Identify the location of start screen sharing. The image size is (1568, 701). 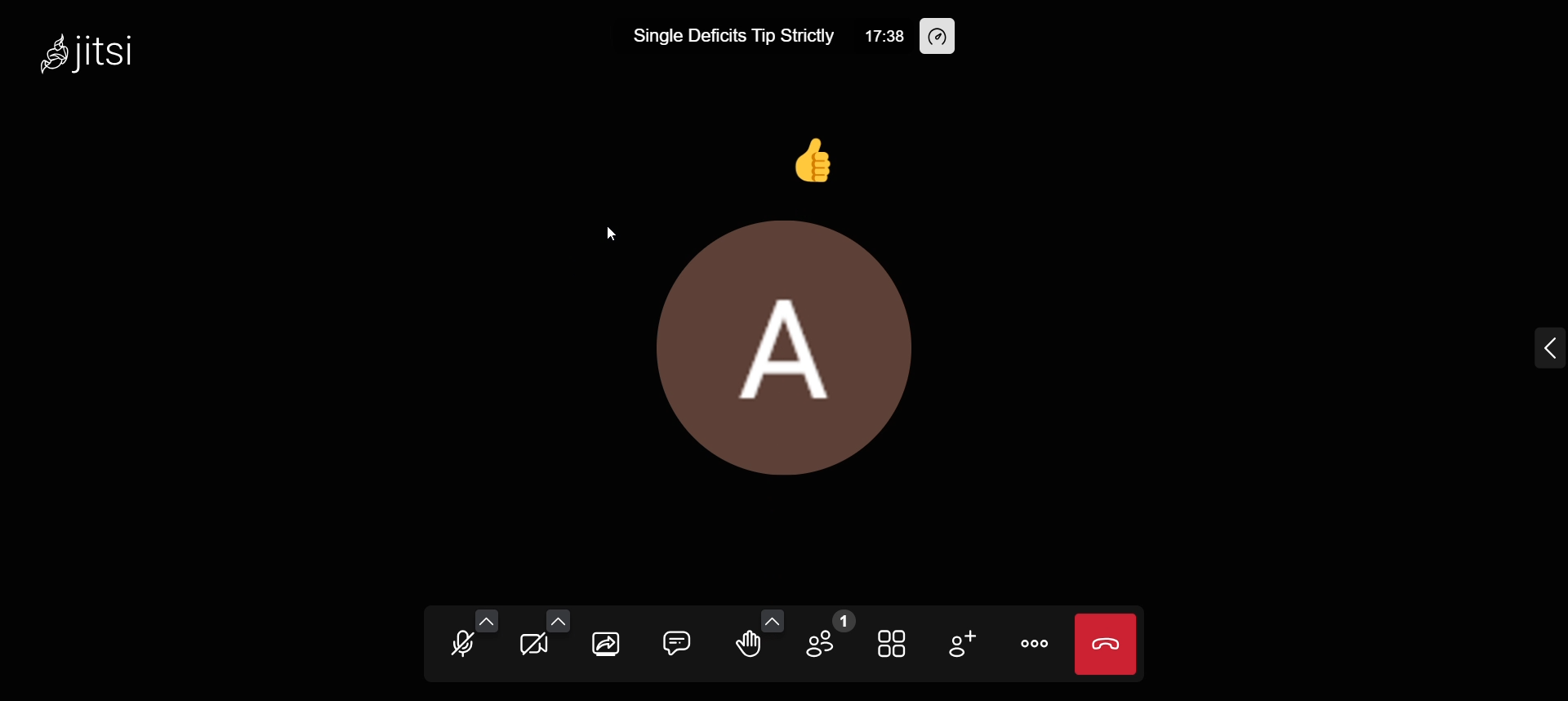
(609, 643).